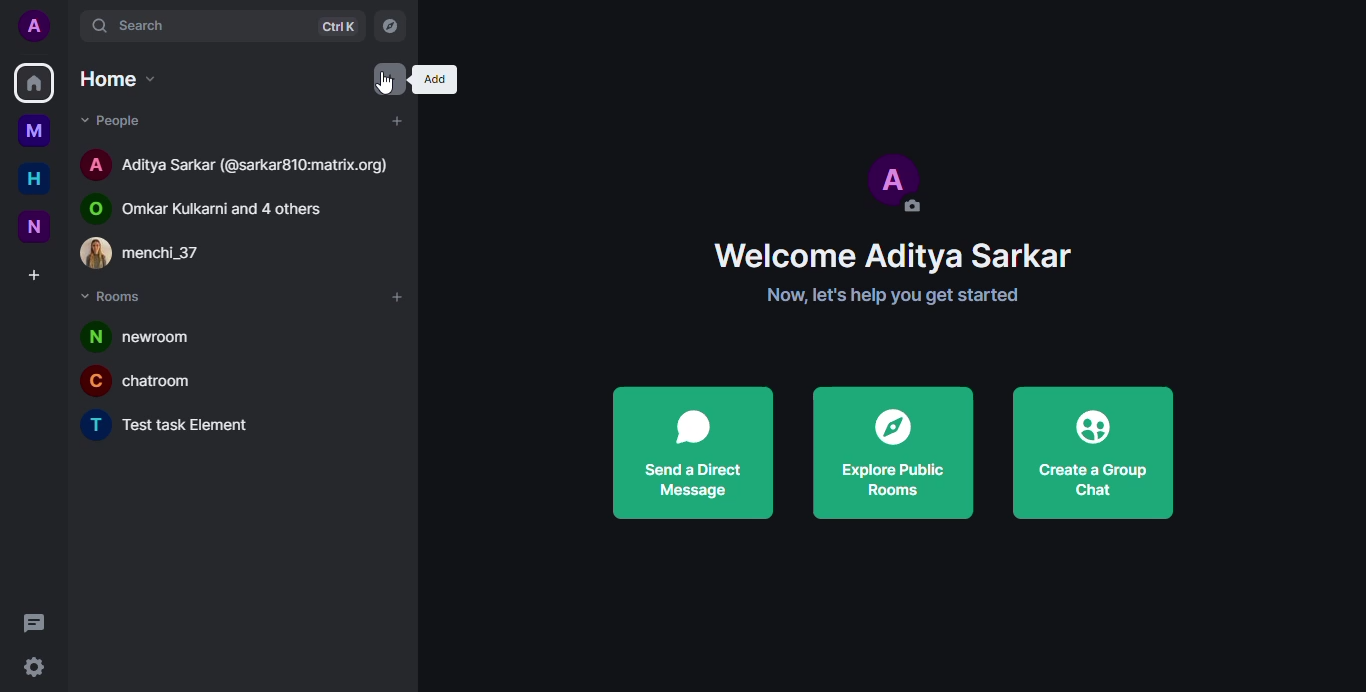 The image size is (1366, 692). I want to click on contact, so click(161, 253).